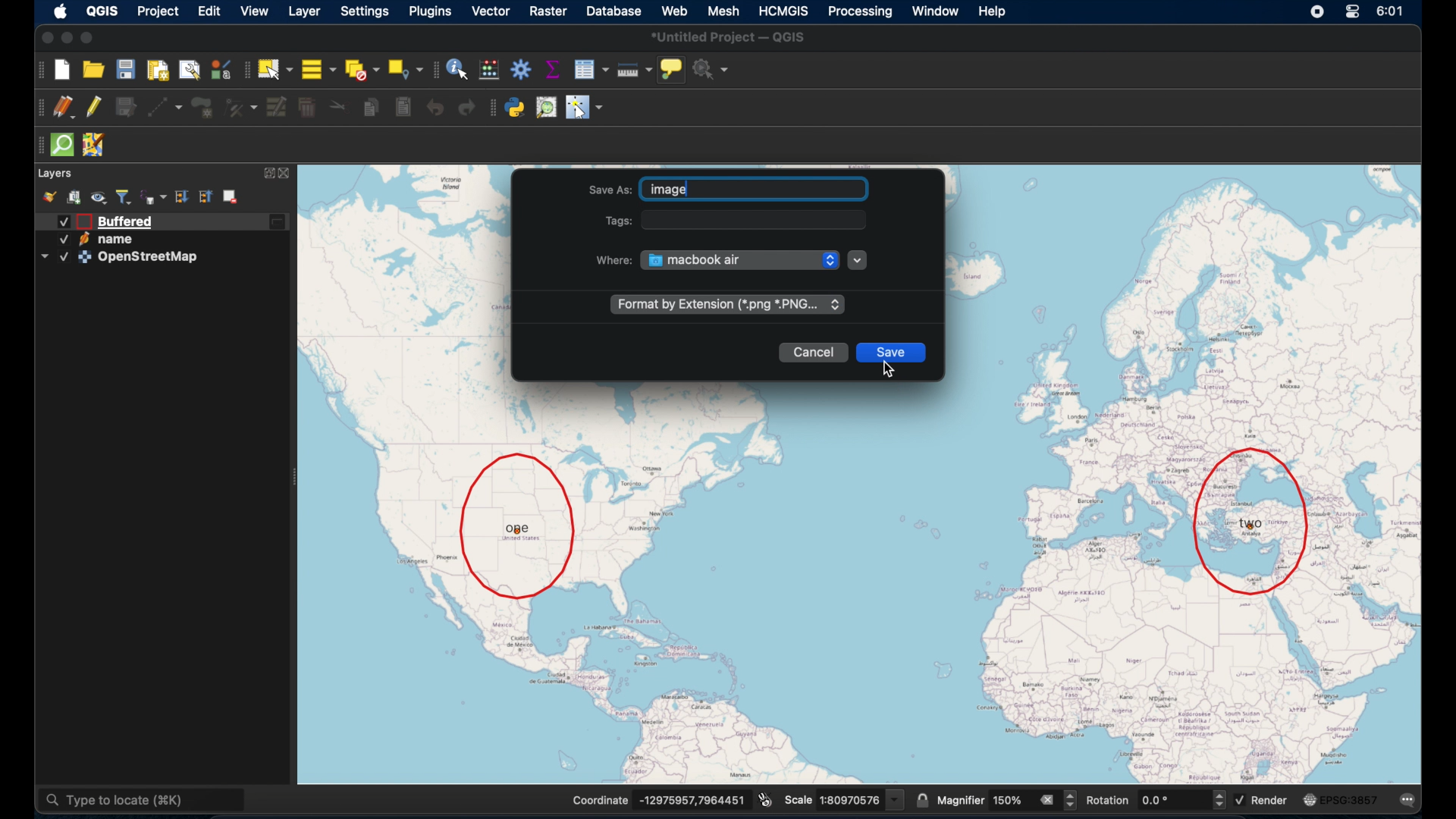 The width and height of the screenshot is (1456, 819). I want to click on toggle editing, so click(93, 106).